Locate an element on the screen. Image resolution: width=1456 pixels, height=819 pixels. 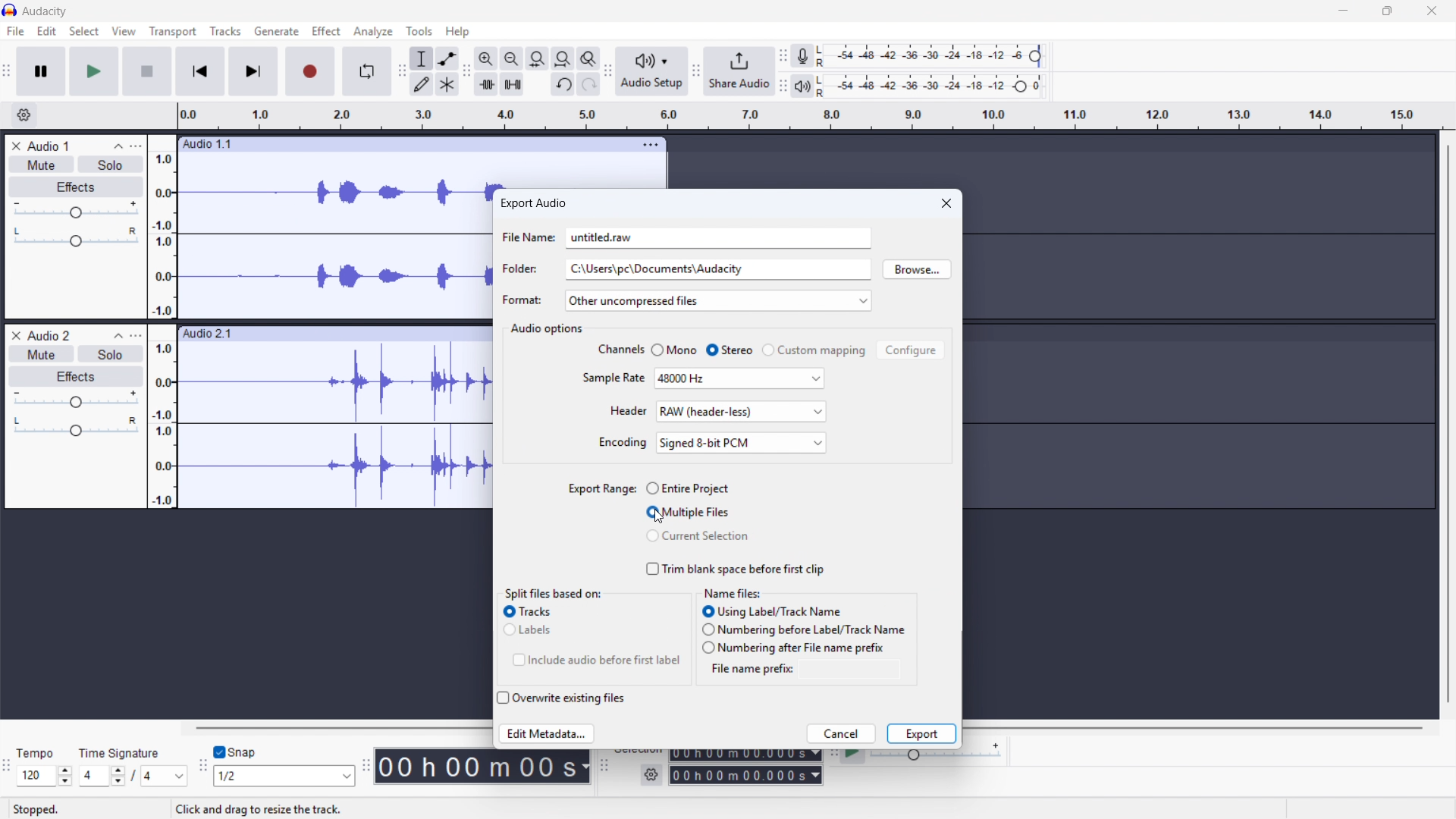
() Overwrite existi
ing files is located at coordinates (561, 698).